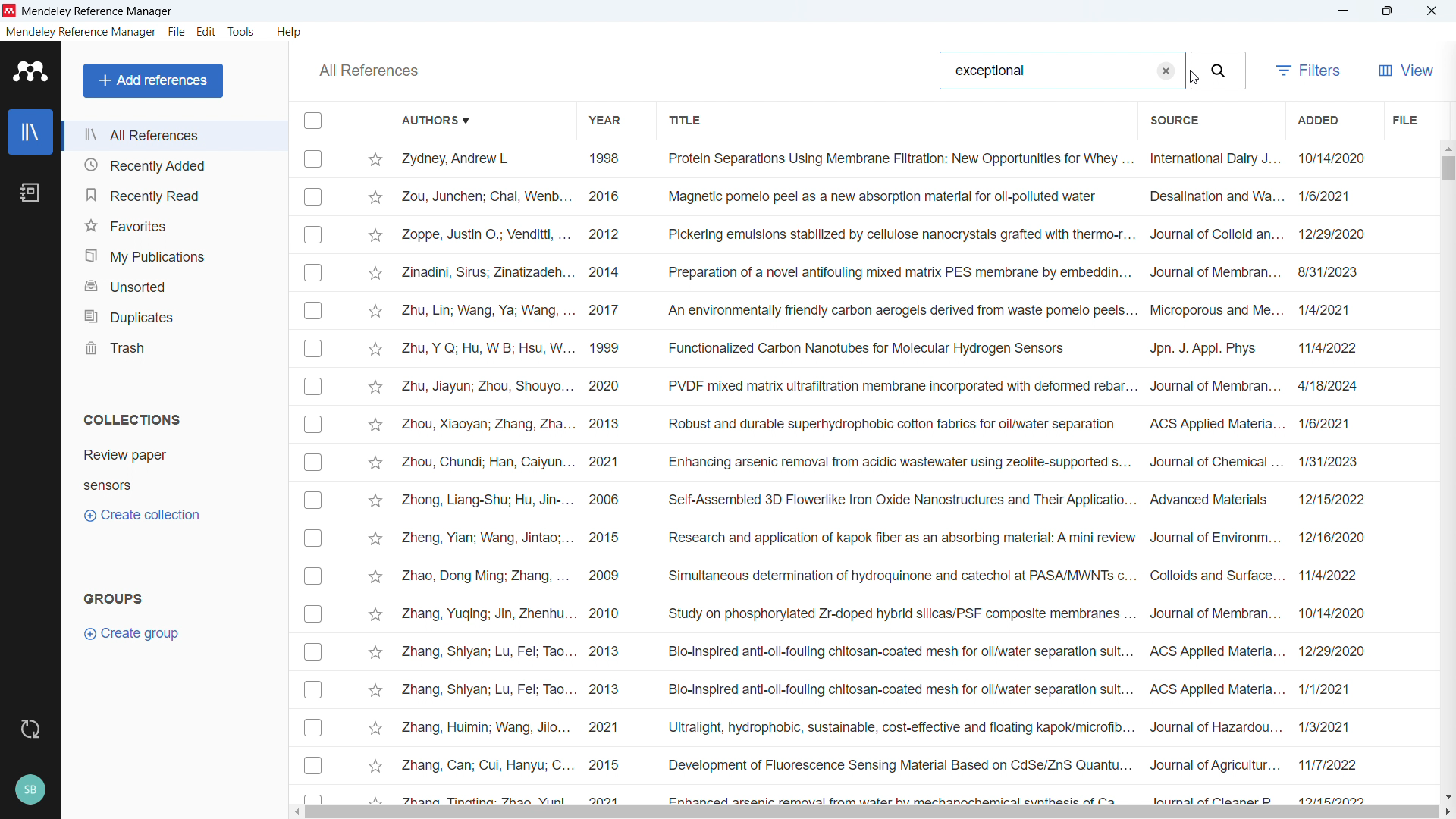 The image size is (1456, 819). Describe the element at coordinates (1307, 71) in the screenshot. I see `filters` at that location.